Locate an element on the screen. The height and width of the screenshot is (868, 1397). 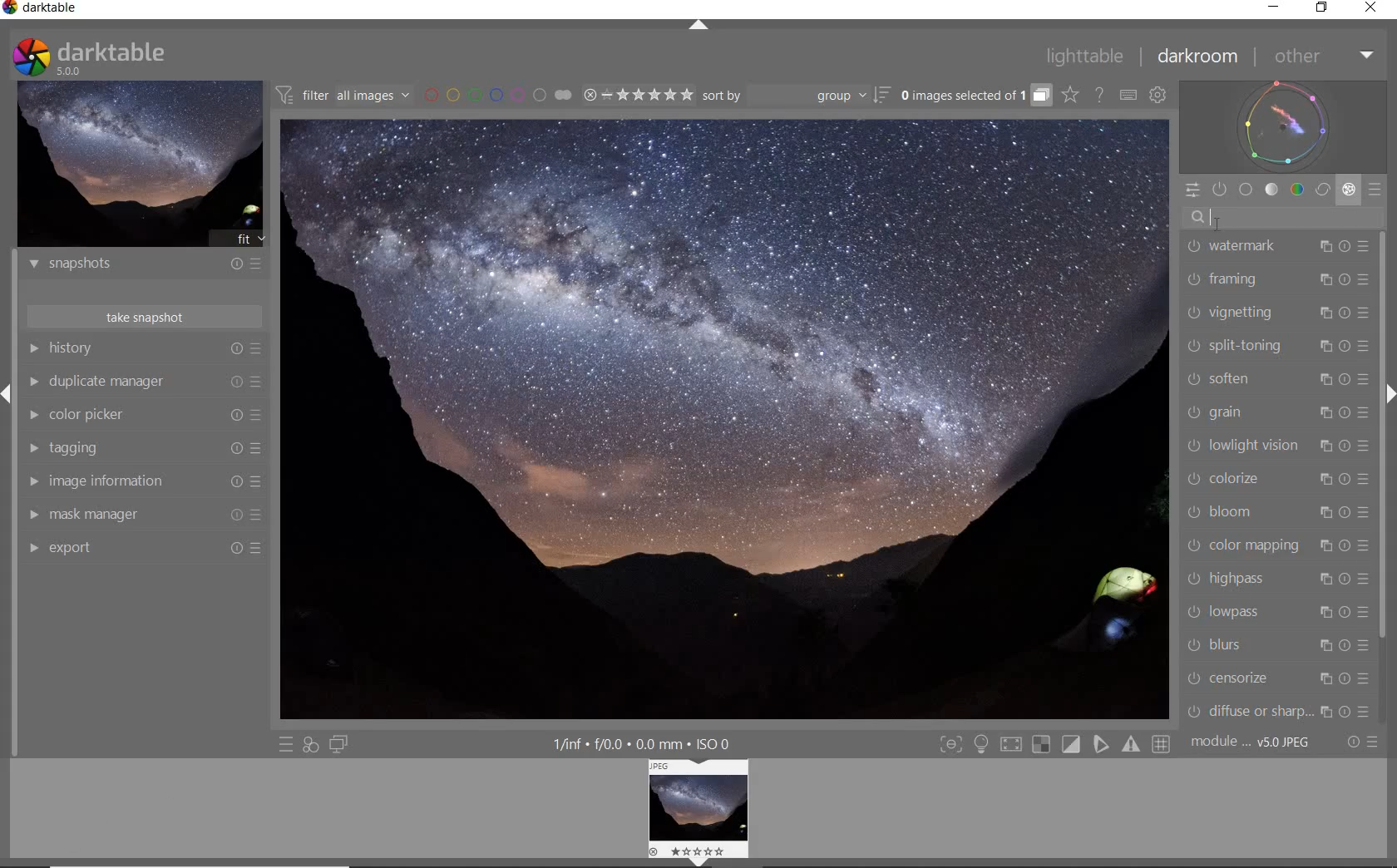
presets is located at coordinates (1360, 646).